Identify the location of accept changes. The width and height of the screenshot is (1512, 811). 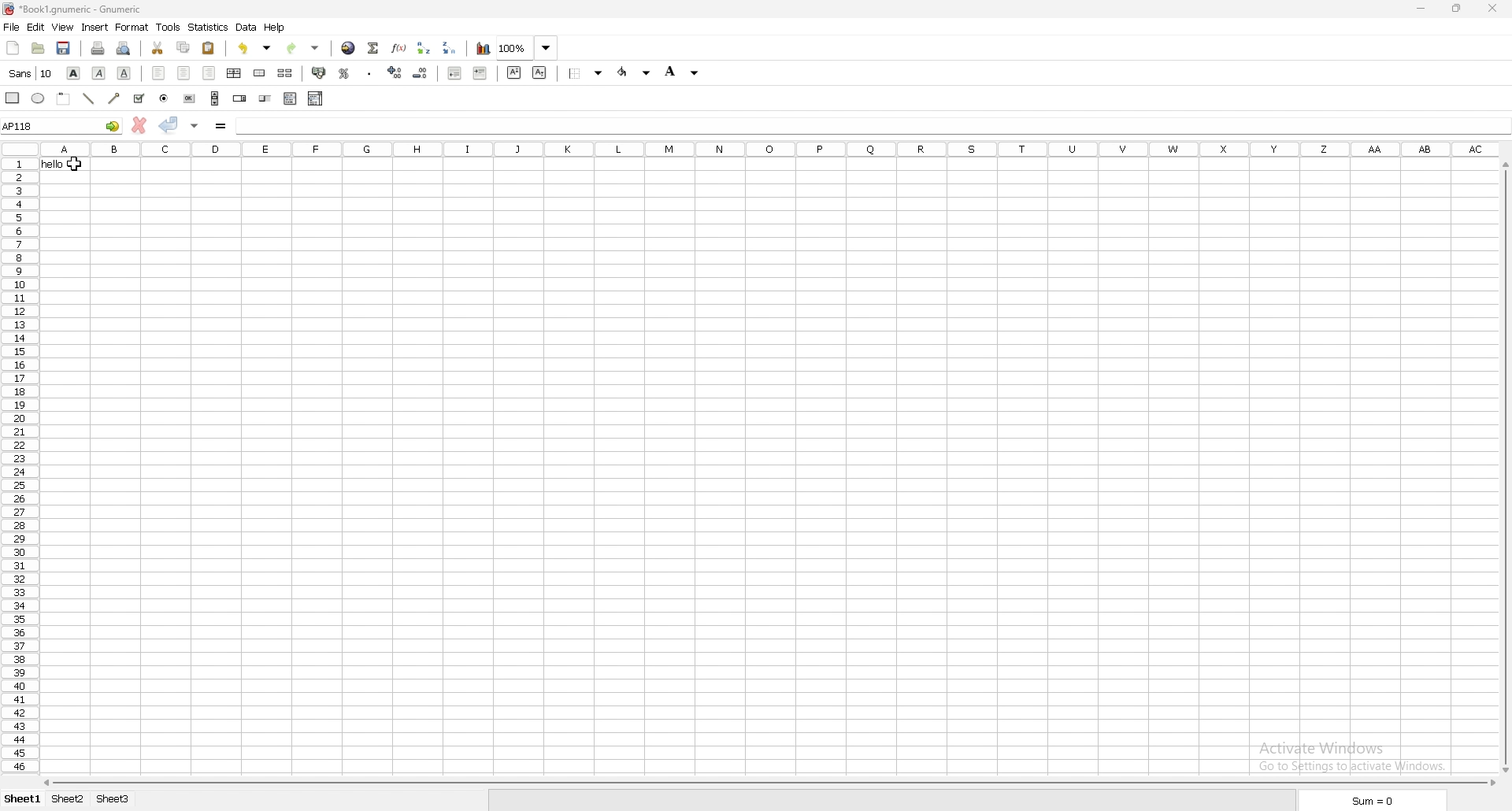
(169, 124).